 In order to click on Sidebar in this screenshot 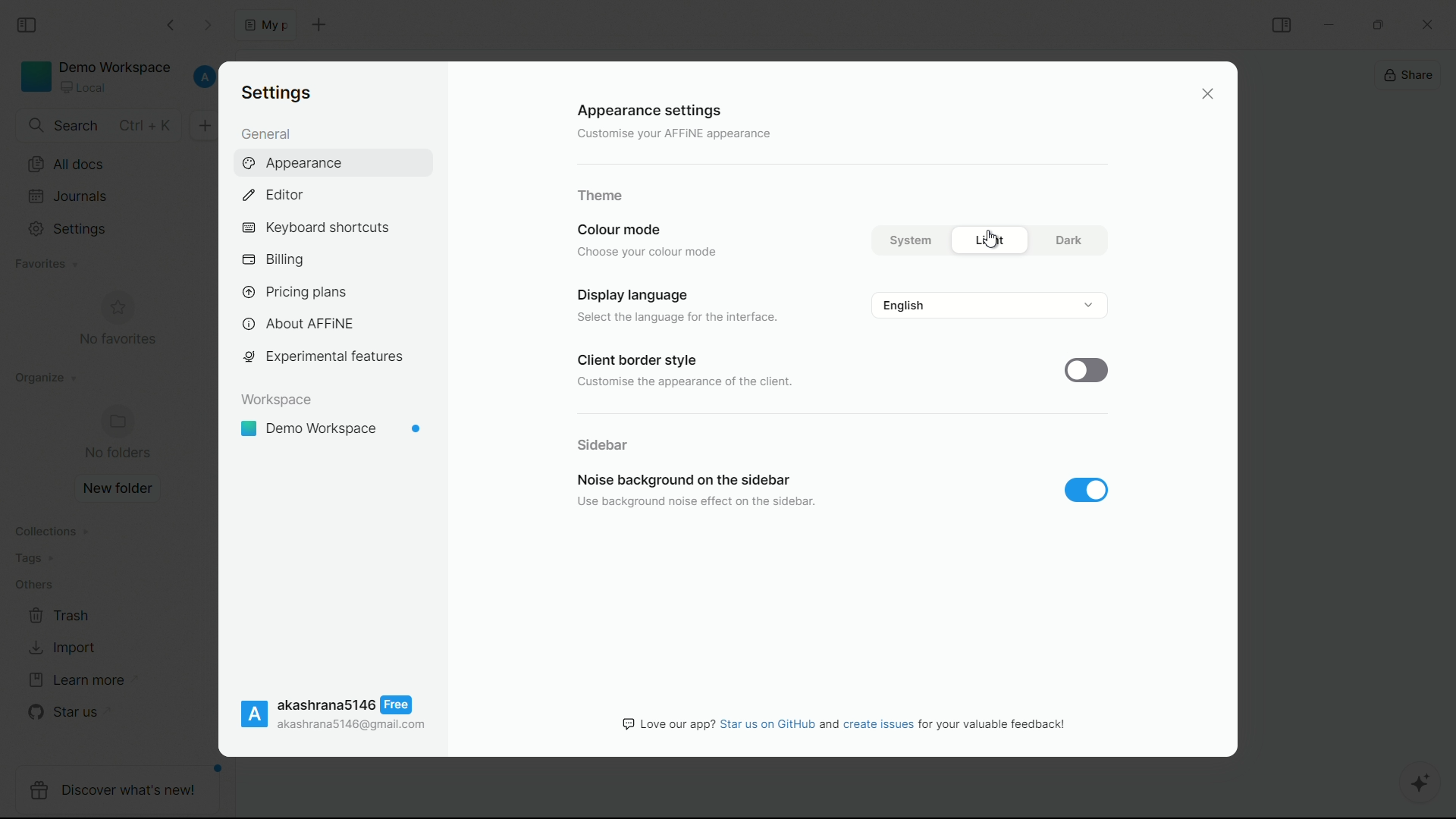, I will do `click(604, 444)`.